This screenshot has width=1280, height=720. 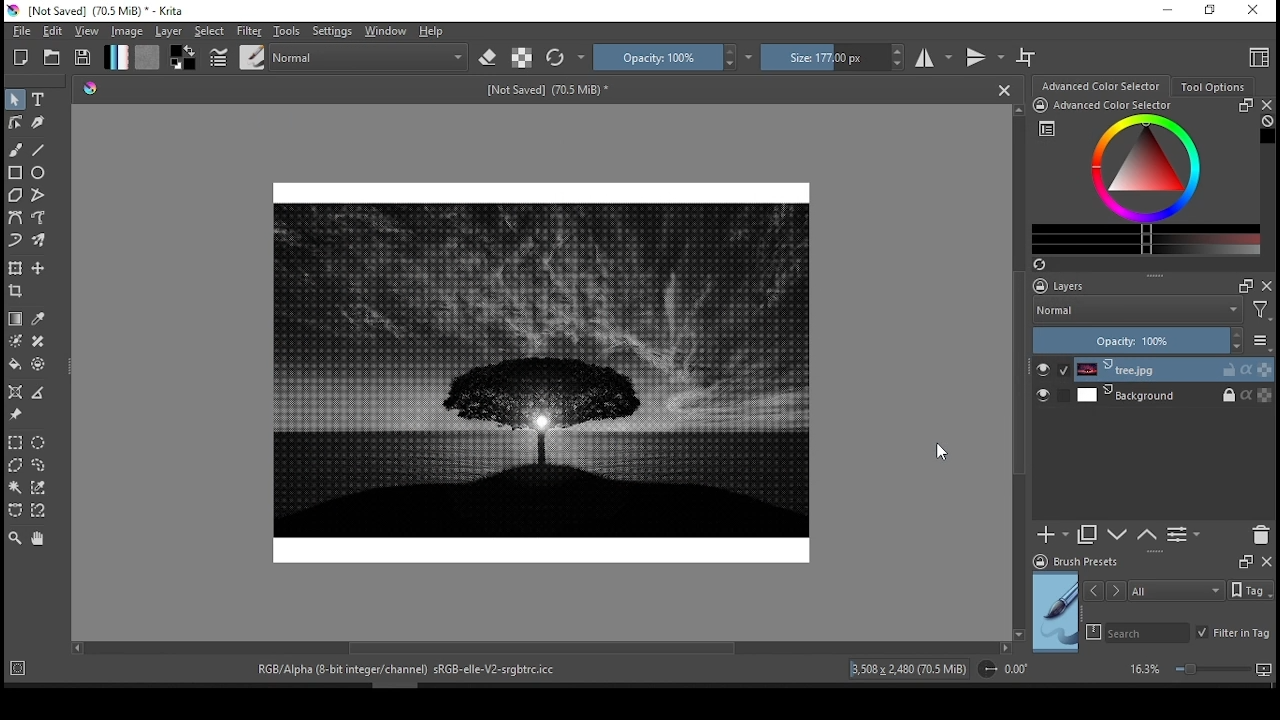 What do you see at coordinates (933, 56) in the screenshot?
I see `horizontal mirror mode` at bounding box center [933, 56].